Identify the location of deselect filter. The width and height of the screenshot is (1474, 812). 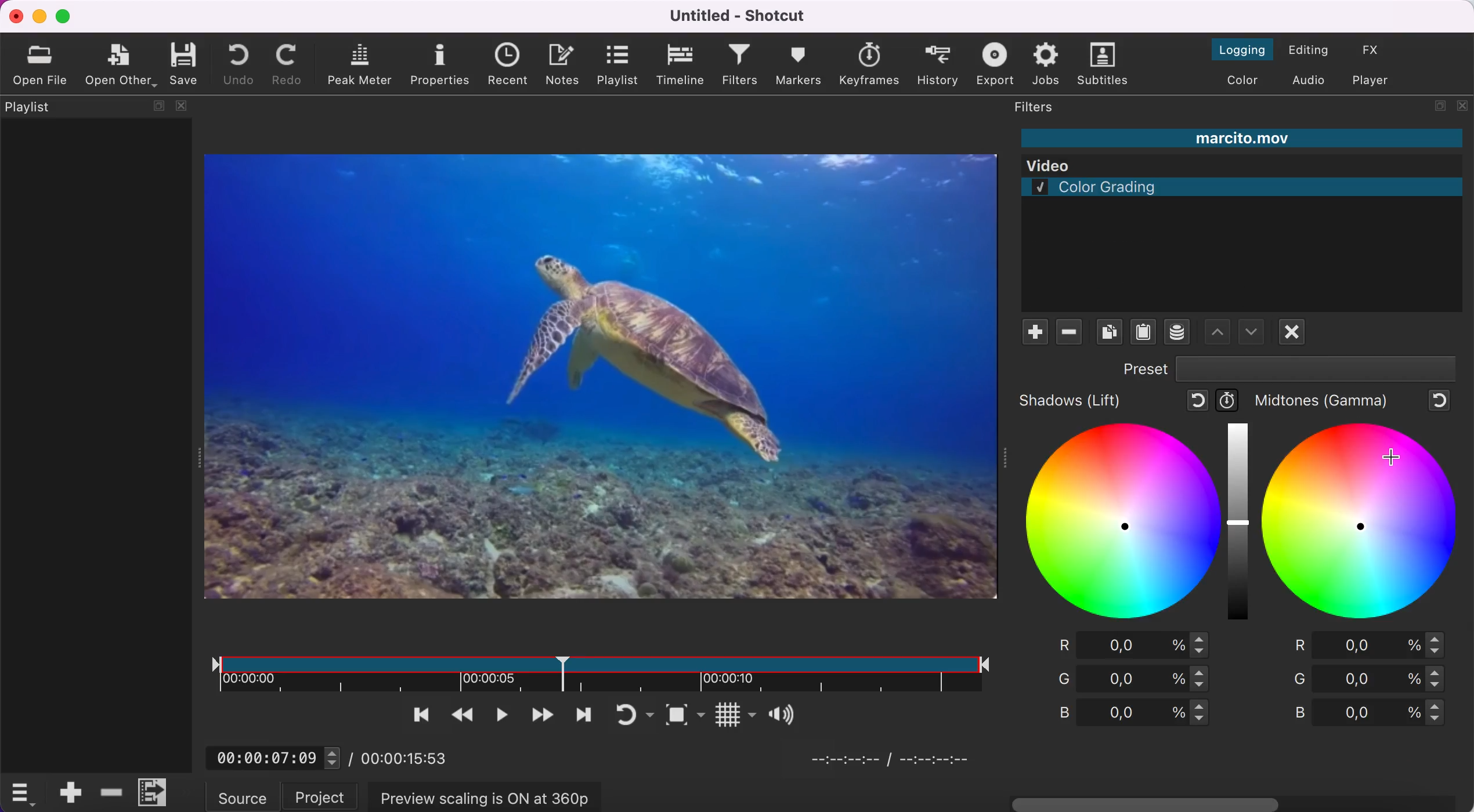
(1294, 333).